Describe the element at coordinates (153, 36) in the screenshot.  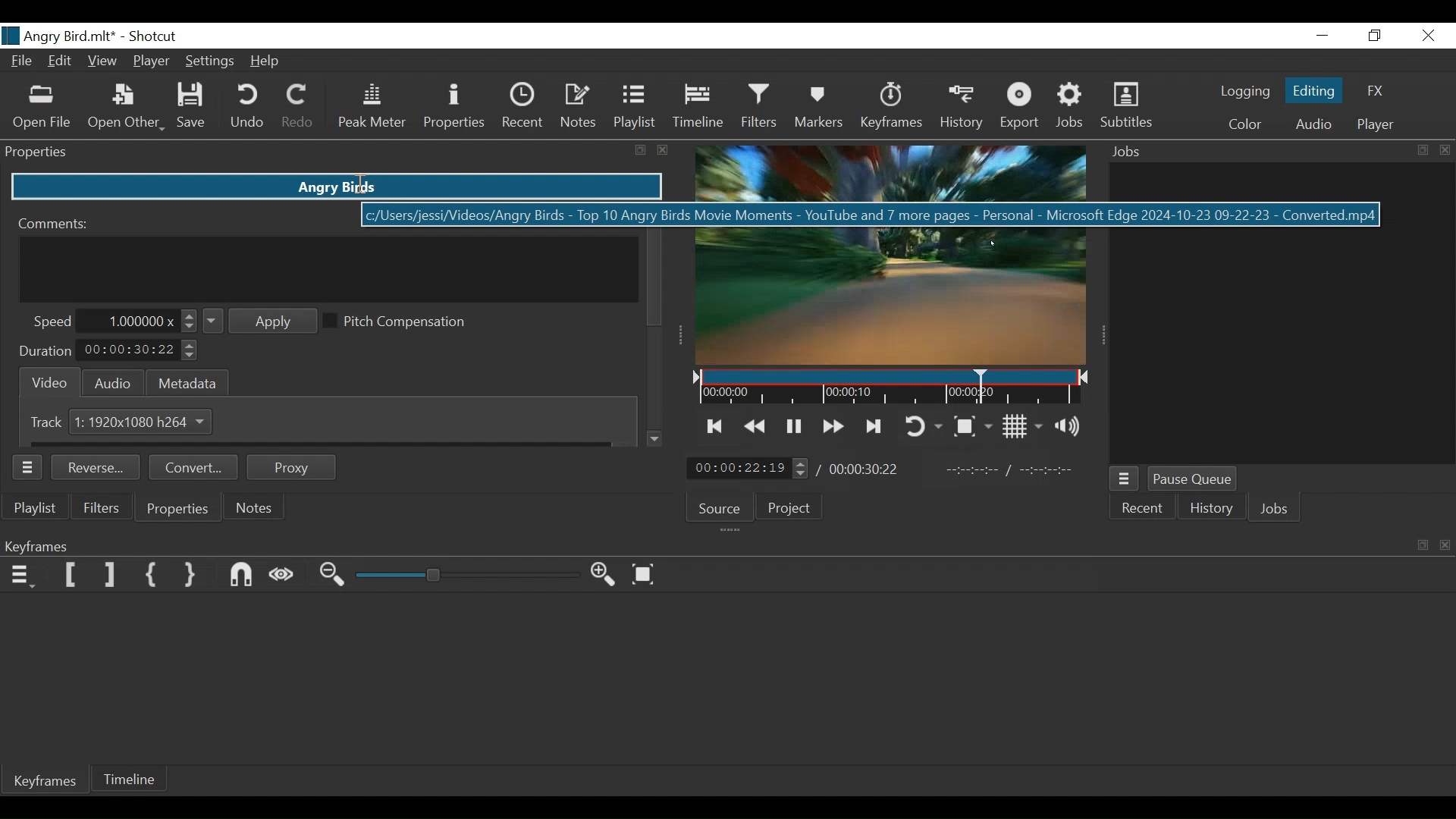
I see `Shotcut` at that location.